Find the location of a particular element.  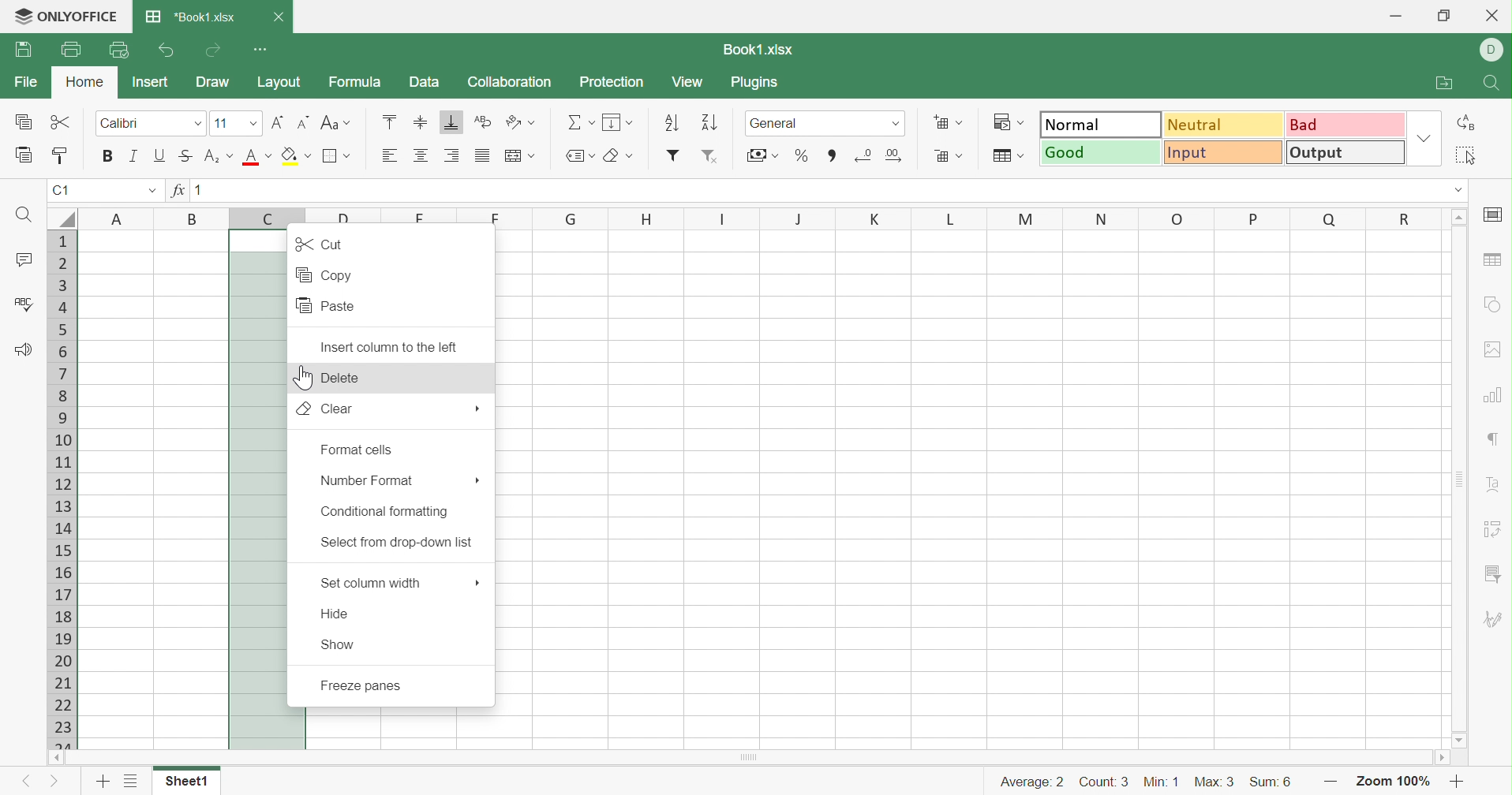

Align Top is located at coordinates (391, 121).